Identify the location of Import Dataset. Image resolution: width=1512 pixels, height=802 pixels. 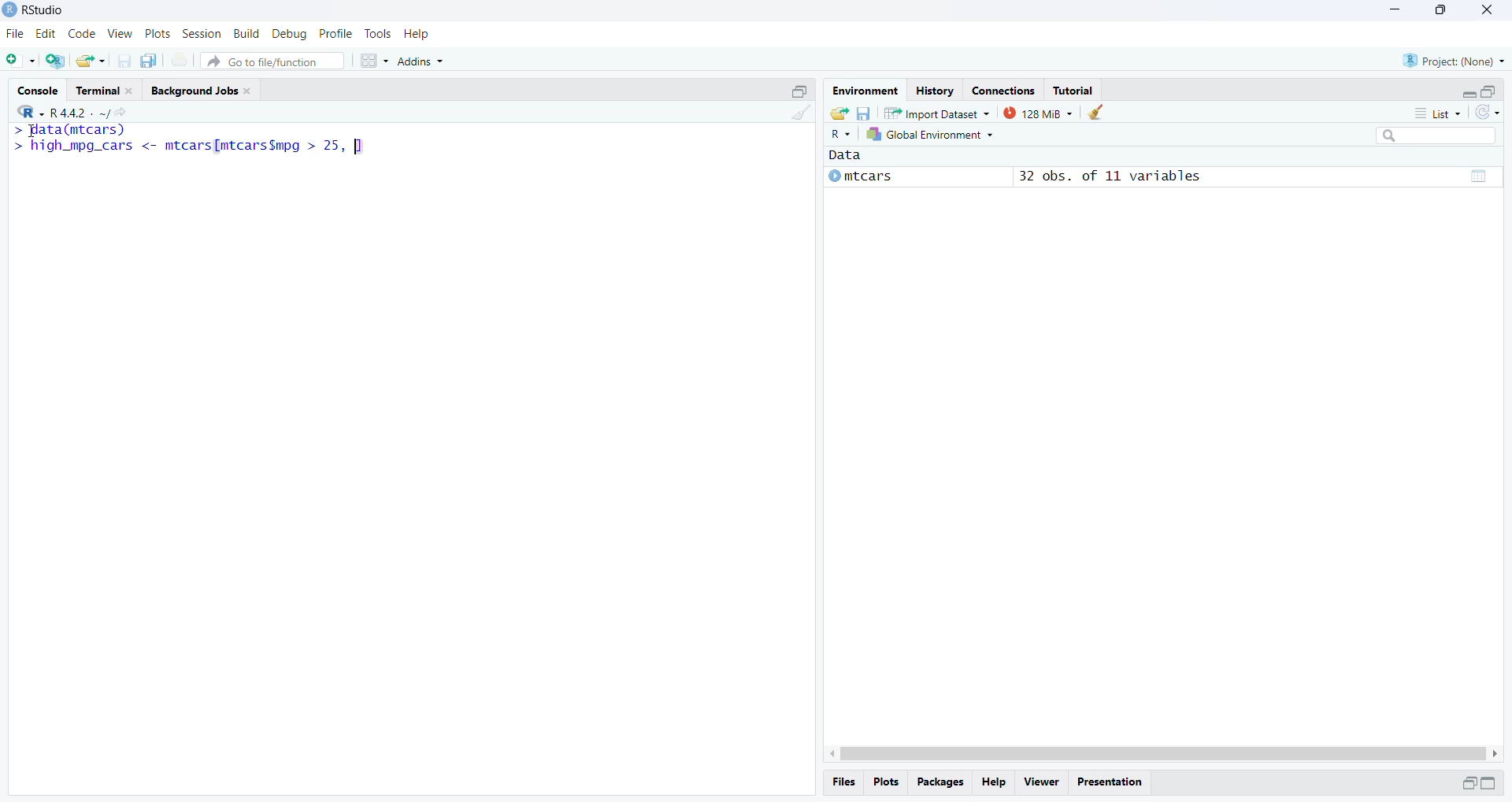
(936, 113).